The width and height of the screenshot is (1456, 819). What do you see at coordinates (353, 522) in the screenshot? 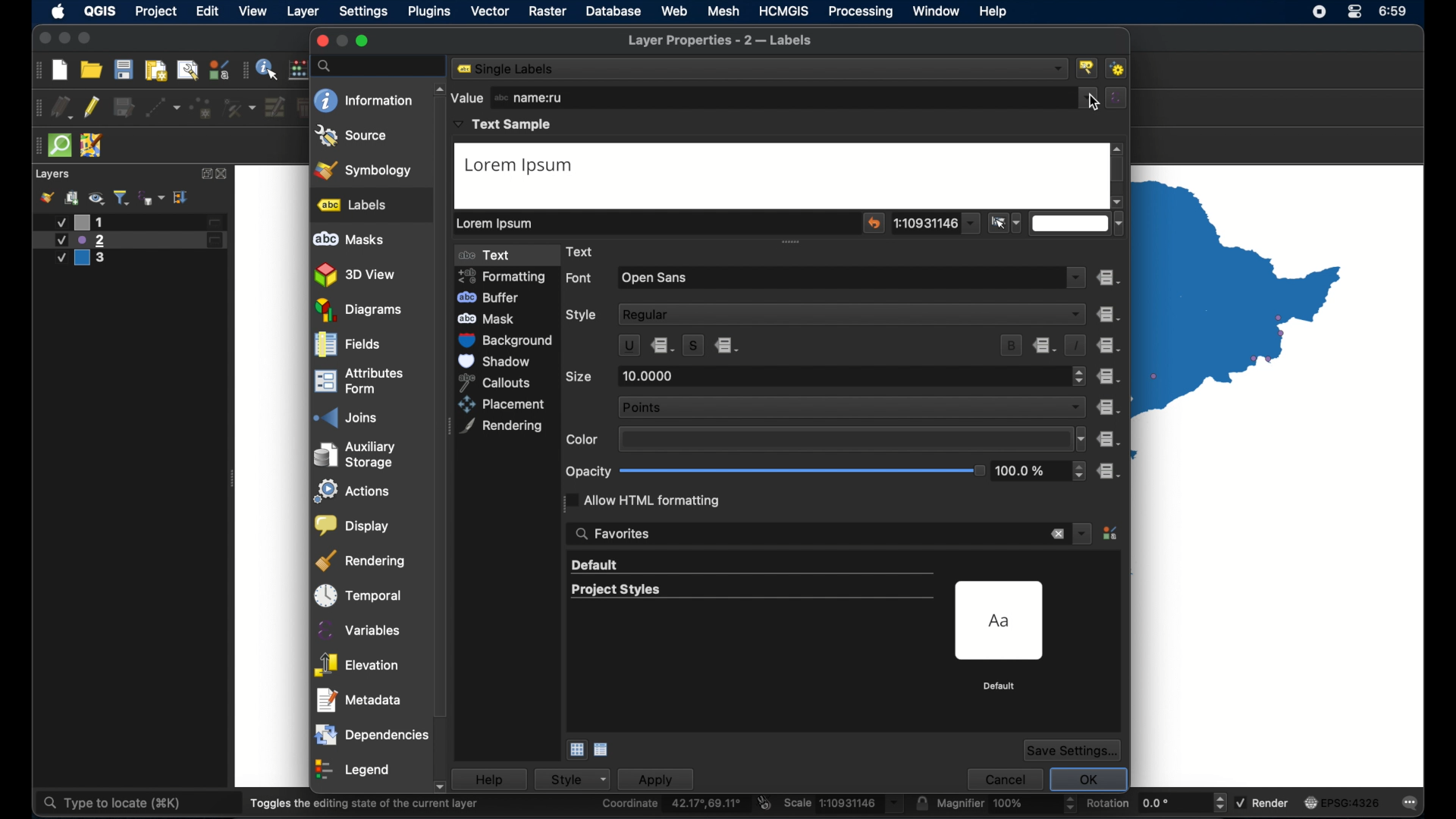
I see `display` at bounding box center [353, 522].